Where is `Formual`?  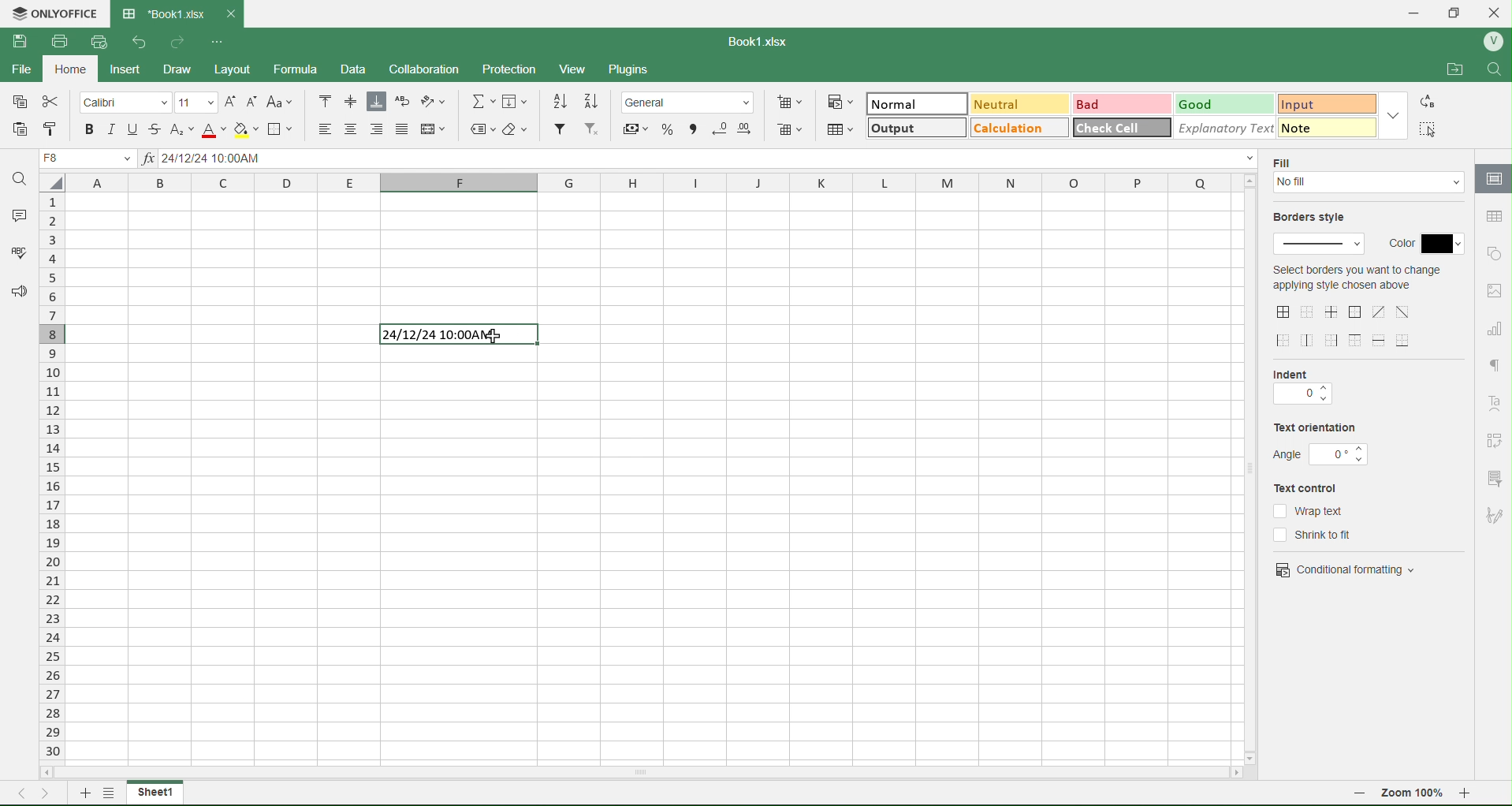 Formual is located at coordinates (307, 69).